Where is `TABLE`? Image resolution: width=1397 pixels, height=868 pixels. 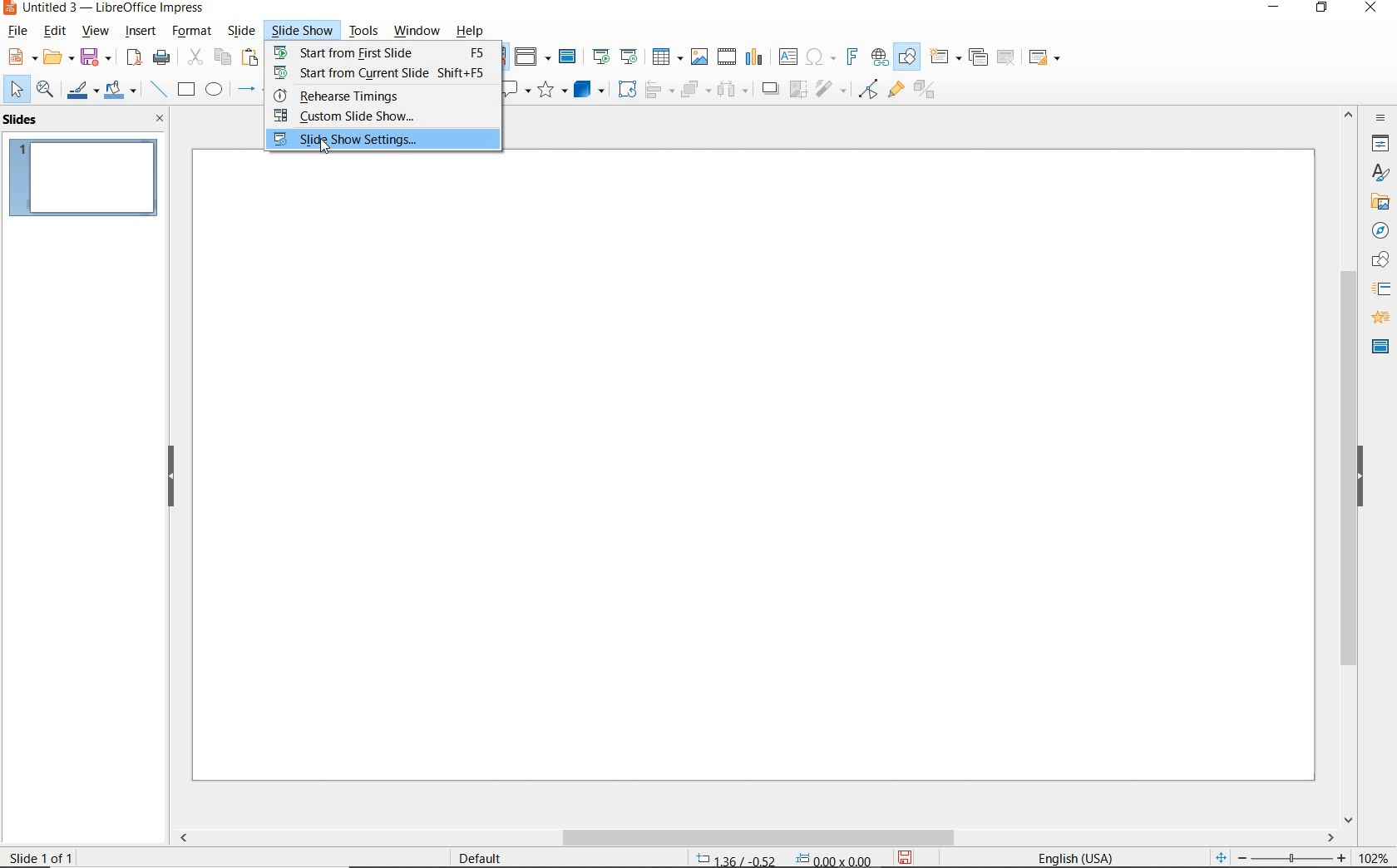
TABLE is located at coordinates (664, 57).